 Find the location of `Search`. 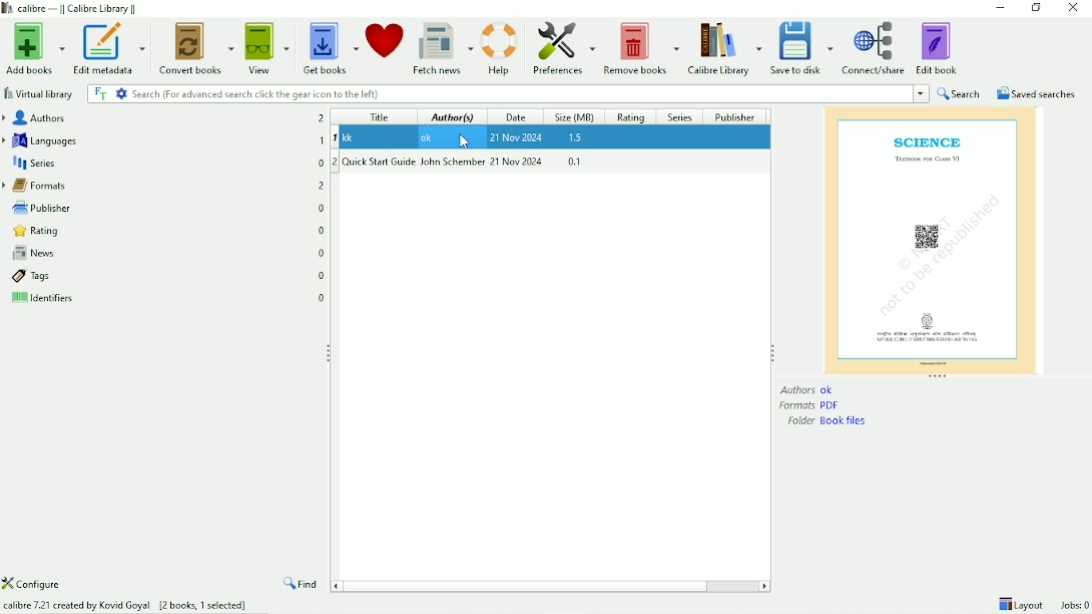

Search is located at coordinates (960, 93).